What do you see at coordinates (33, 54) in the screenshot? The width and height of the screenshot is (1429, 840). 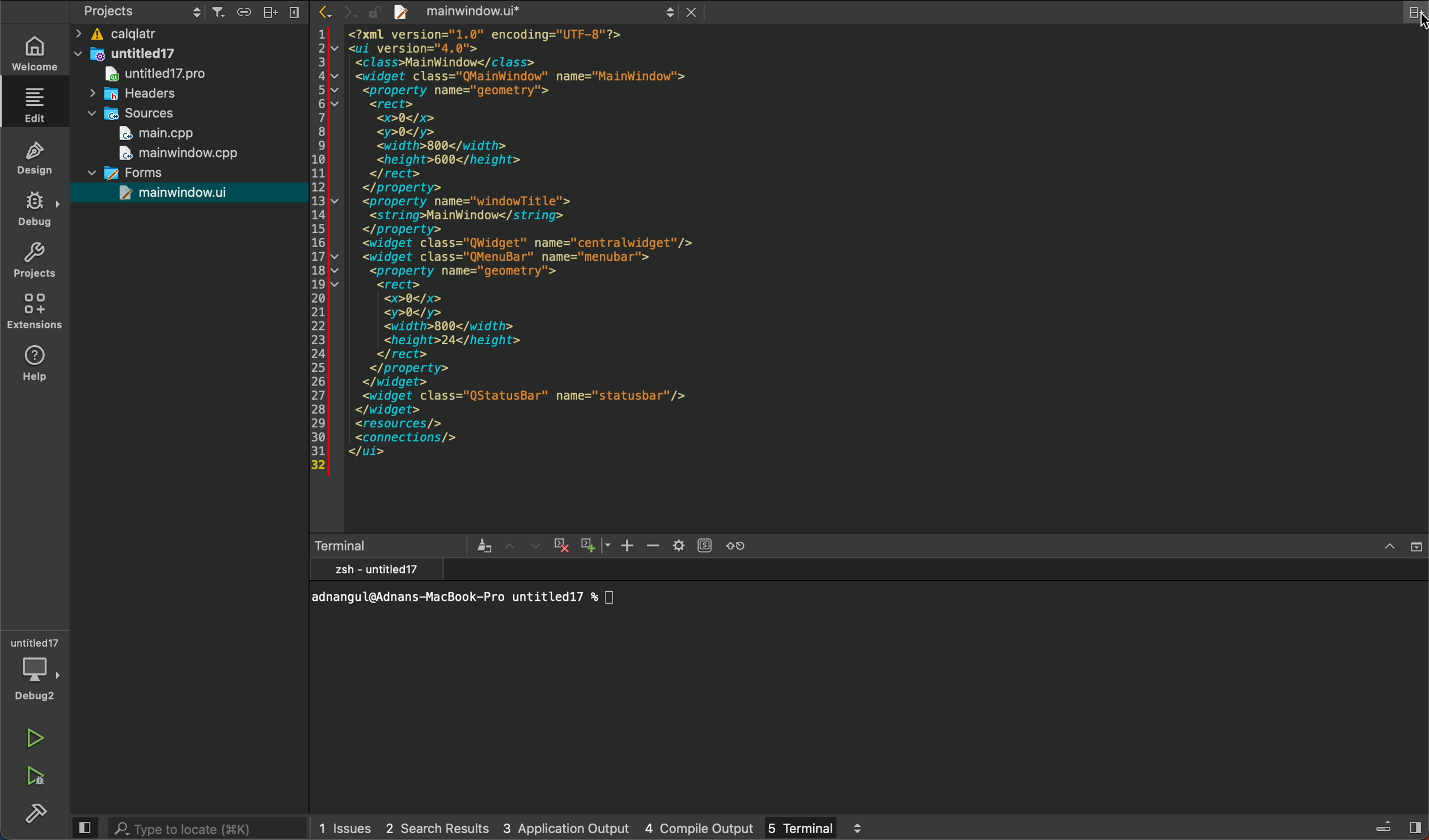 I see `welcome` at bounding box center [33, 54].